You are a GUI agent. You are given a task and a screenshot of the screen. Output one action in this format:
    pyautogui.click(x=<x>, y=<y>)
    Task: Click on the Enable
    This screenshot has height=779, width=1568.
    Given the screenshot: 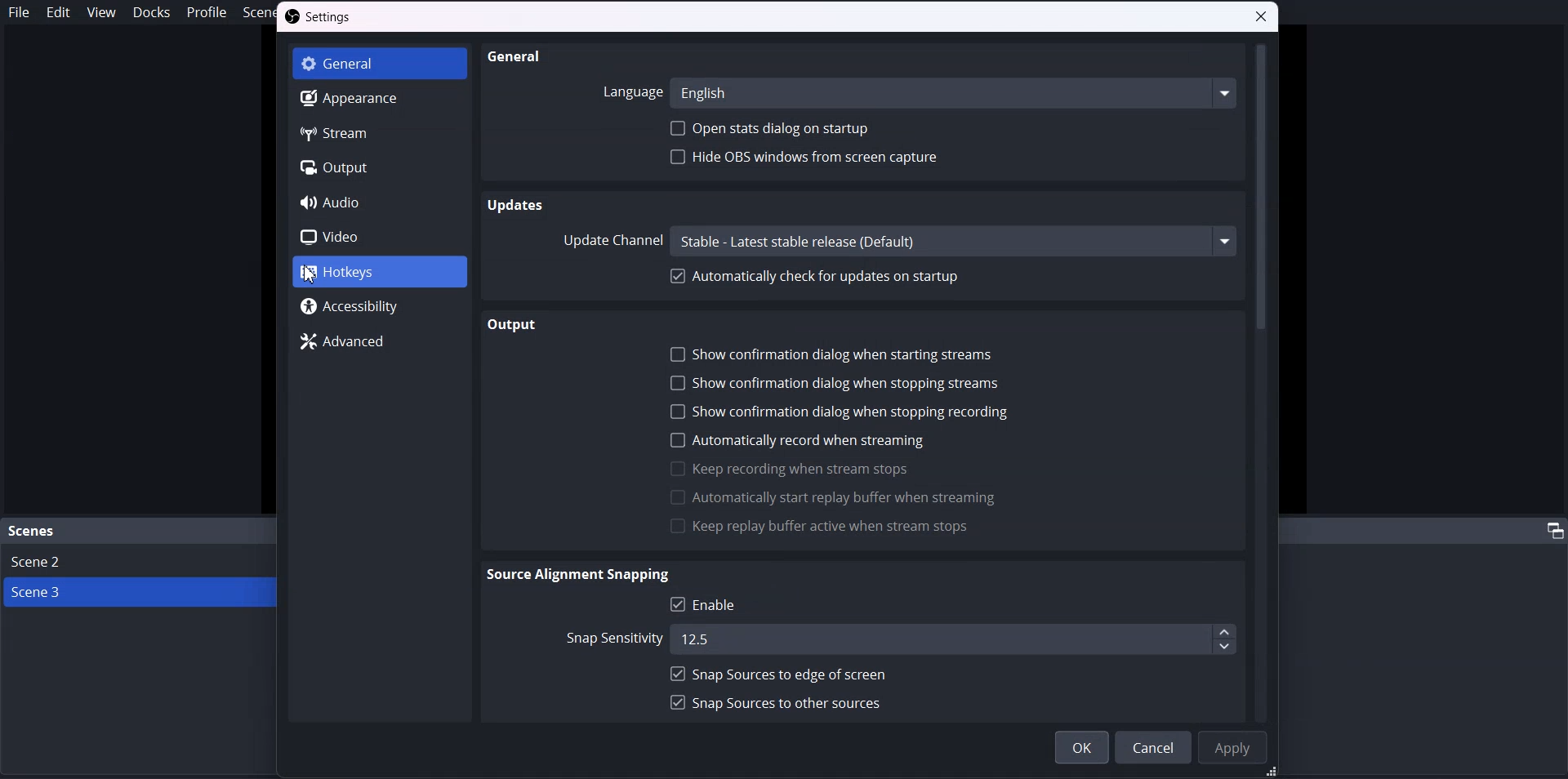 What is the action you would take?
    pyautogui.click(x=703, y=603)
    